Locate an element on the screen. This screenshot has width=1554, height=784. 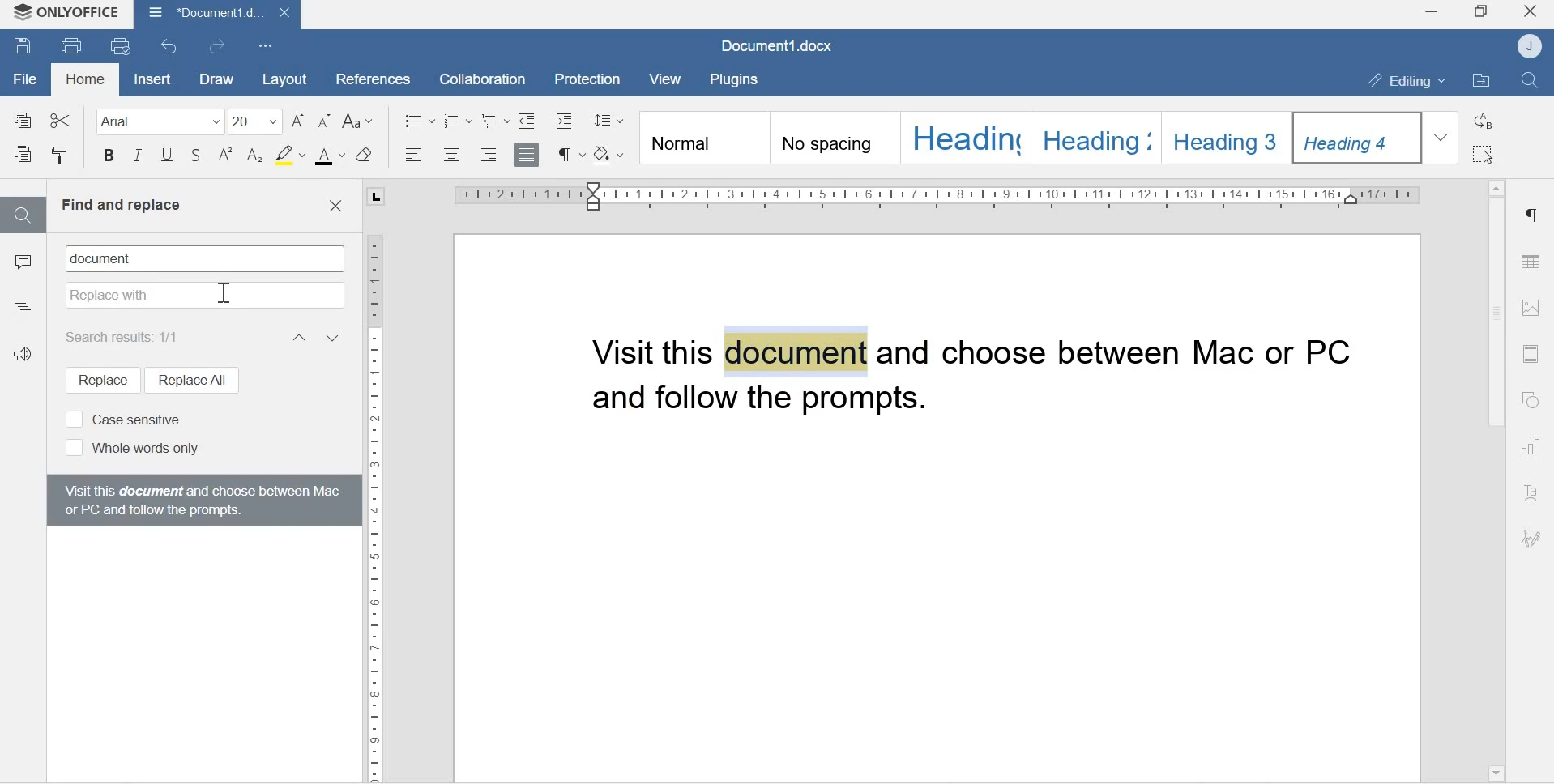
Redo is located at coordinates (221, 47).